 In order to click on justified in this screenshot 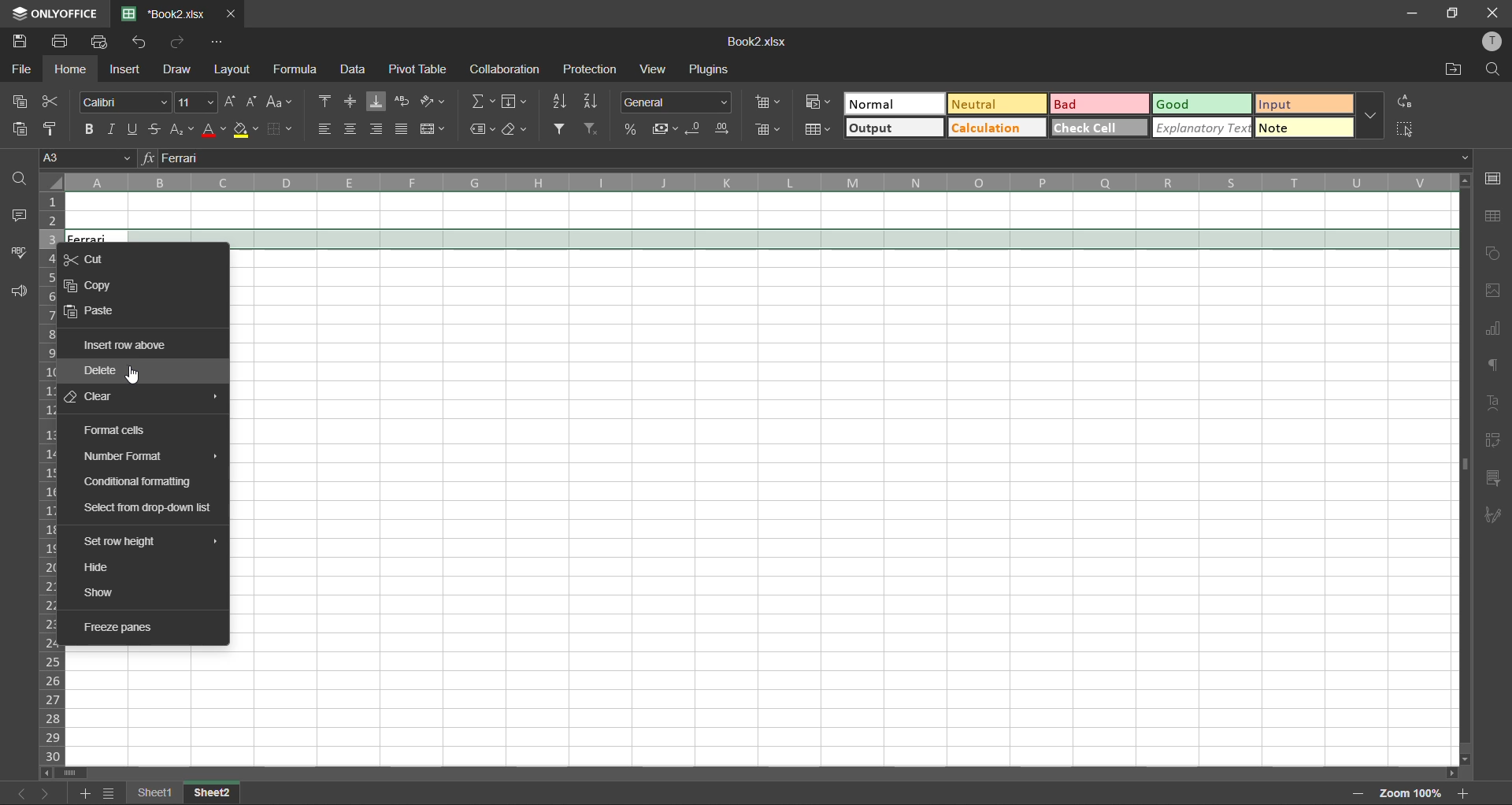, I will do `click(404, 129)`.